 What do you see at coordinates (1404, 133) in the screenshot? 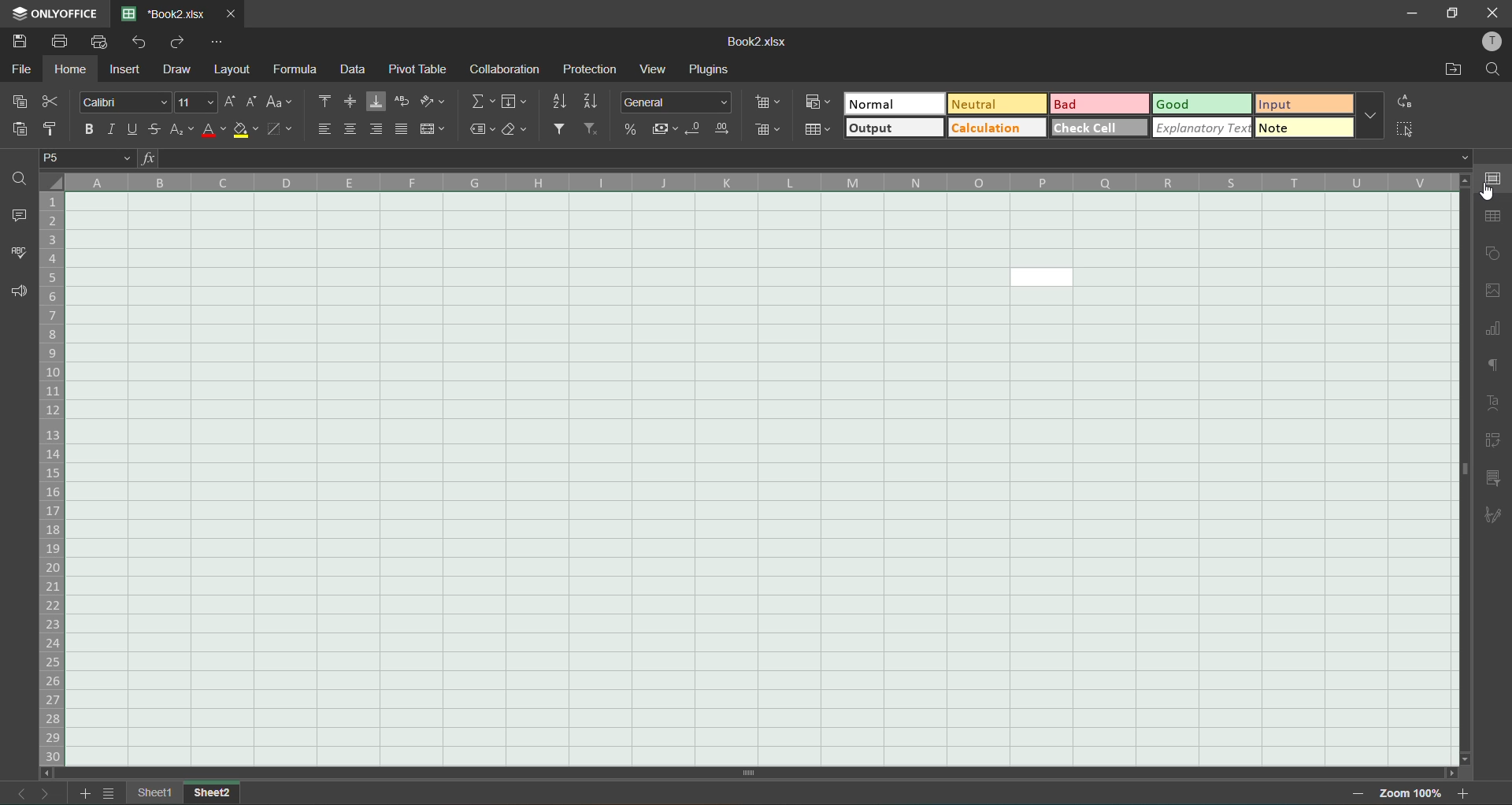
I see `select cell` at bounding box center [1404, 133].